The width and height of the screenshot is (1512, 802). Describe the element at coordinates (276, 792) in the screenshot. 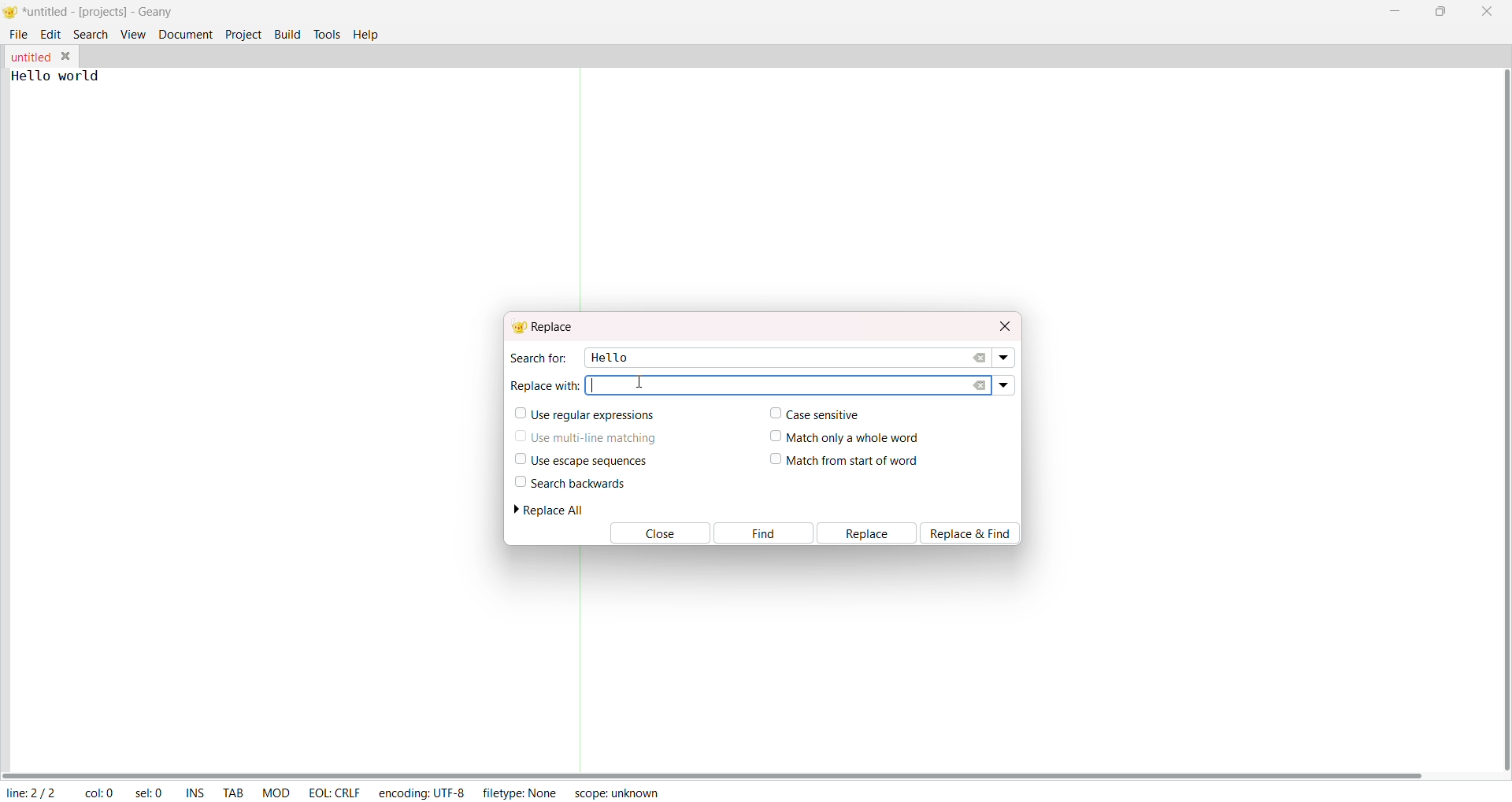

I see `mod` at that location.